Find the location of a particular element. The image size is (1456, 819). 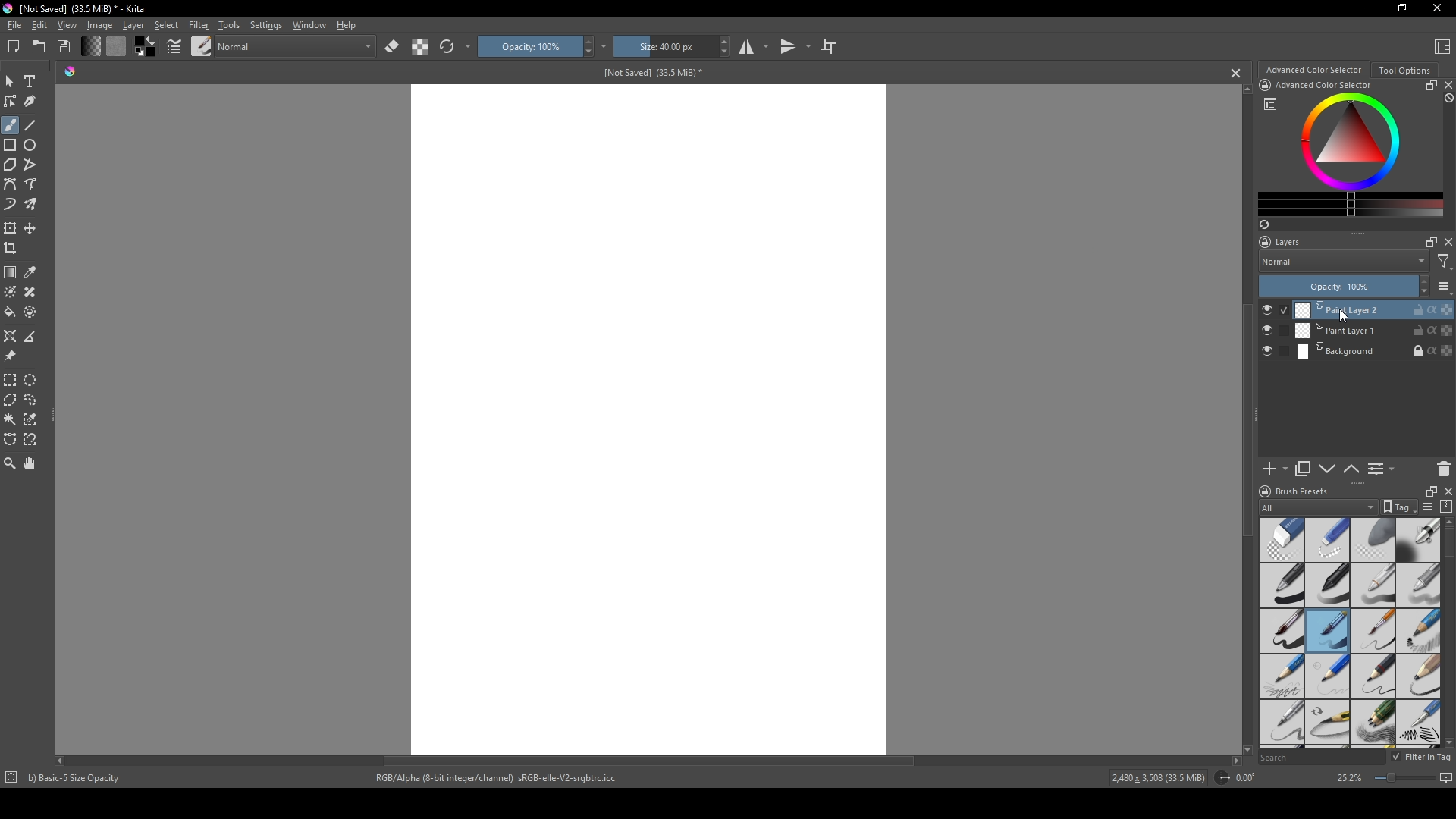

blending tool is located at coordinates (1418, 539).